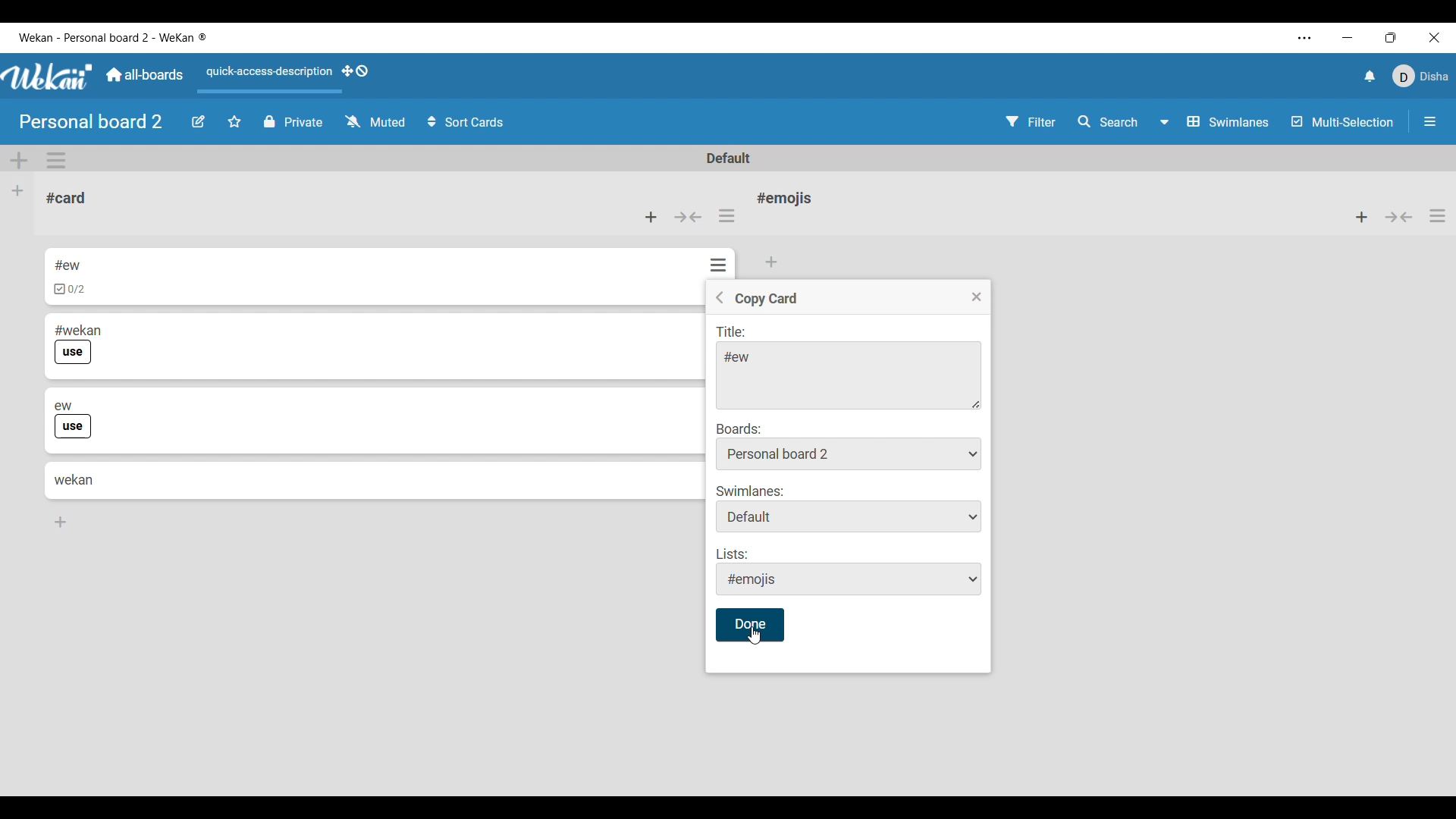 This screenshot has width=1456, height=819. Describe the element at coordinates (162, 199) in the screenshot. I see `Current list` at that location.